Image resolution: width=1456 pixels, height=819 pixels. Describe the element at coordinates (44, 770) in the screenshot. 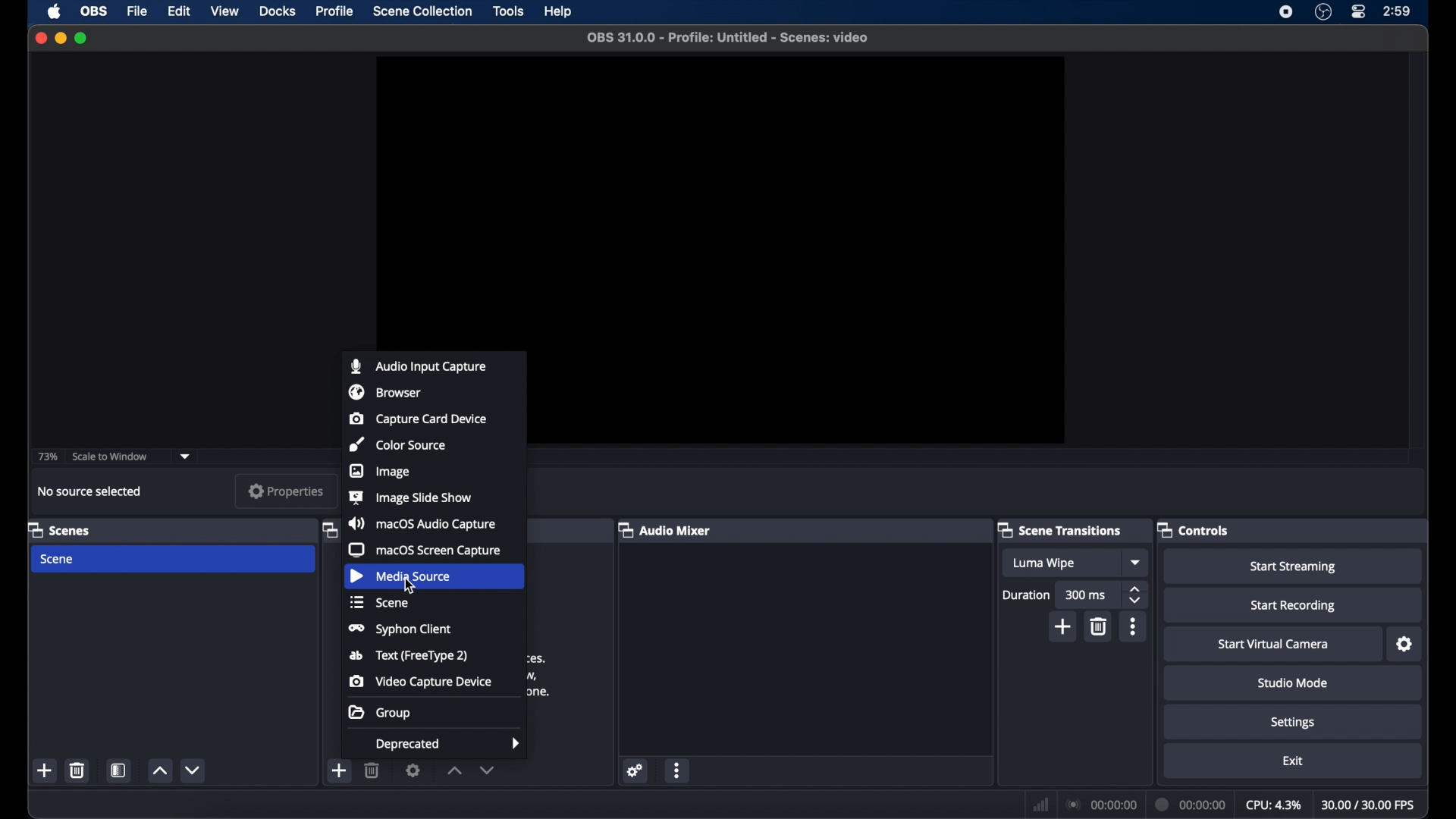

I see `add` at that location.